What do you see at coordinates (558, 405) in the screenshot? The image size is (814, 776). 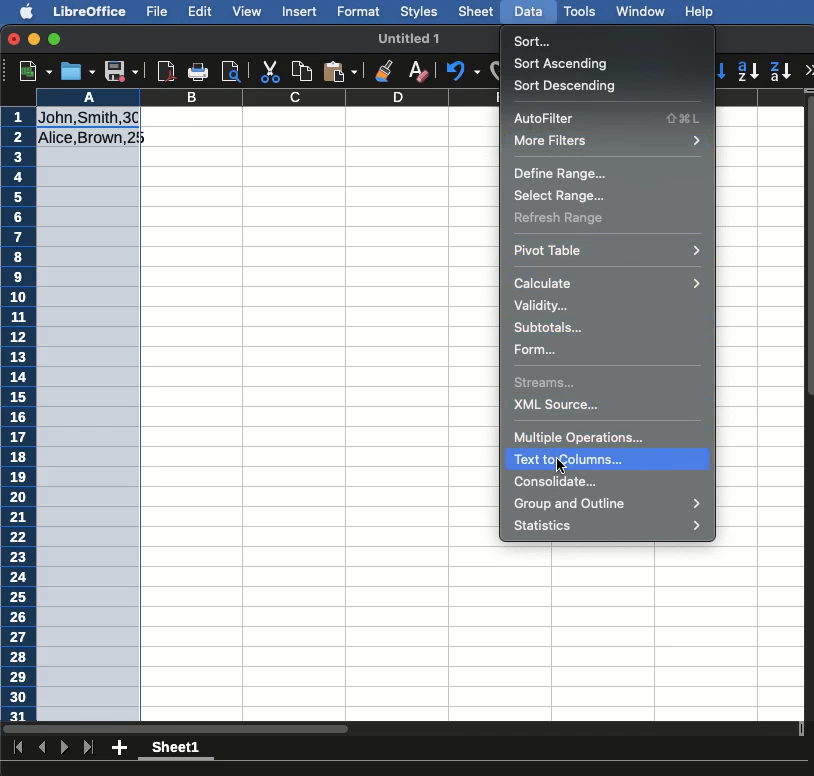 I see `XML source` at bounding box center [558, 405].